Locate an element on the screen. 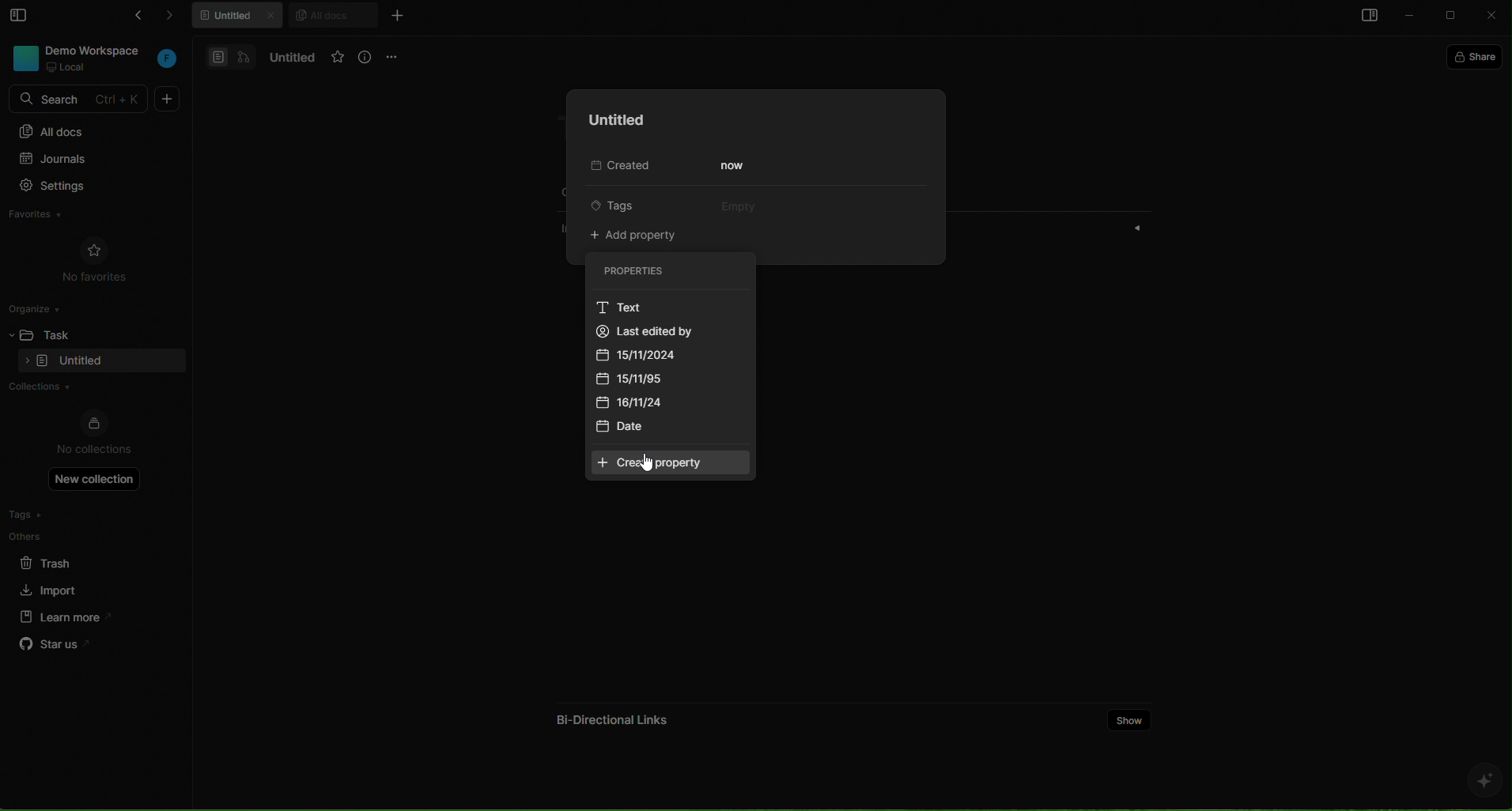 This screenshot has width=1512, height=811. tags is located at coordinates (58, 515).